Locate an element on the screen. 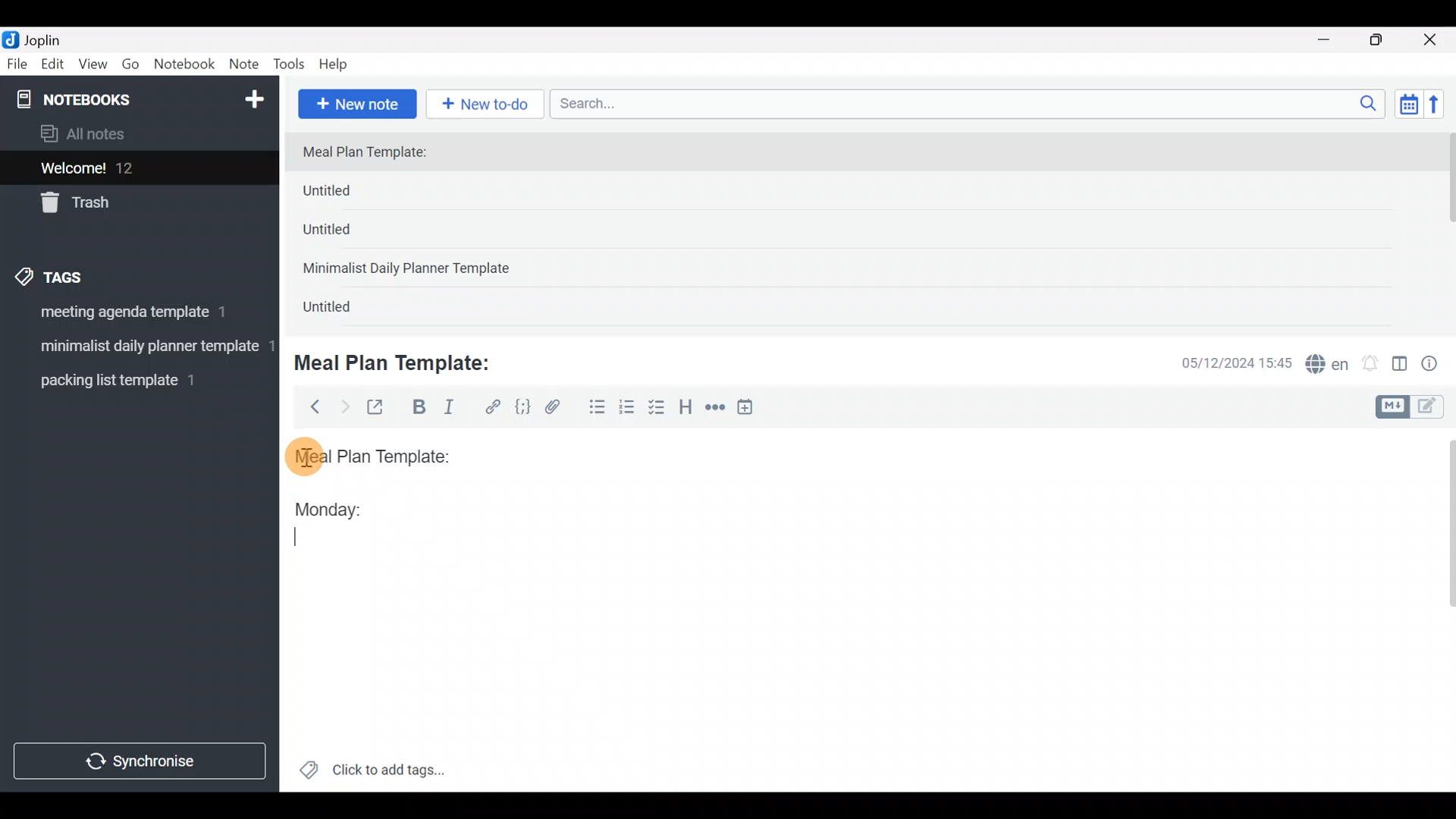  File is located at coordinates (18, 64).